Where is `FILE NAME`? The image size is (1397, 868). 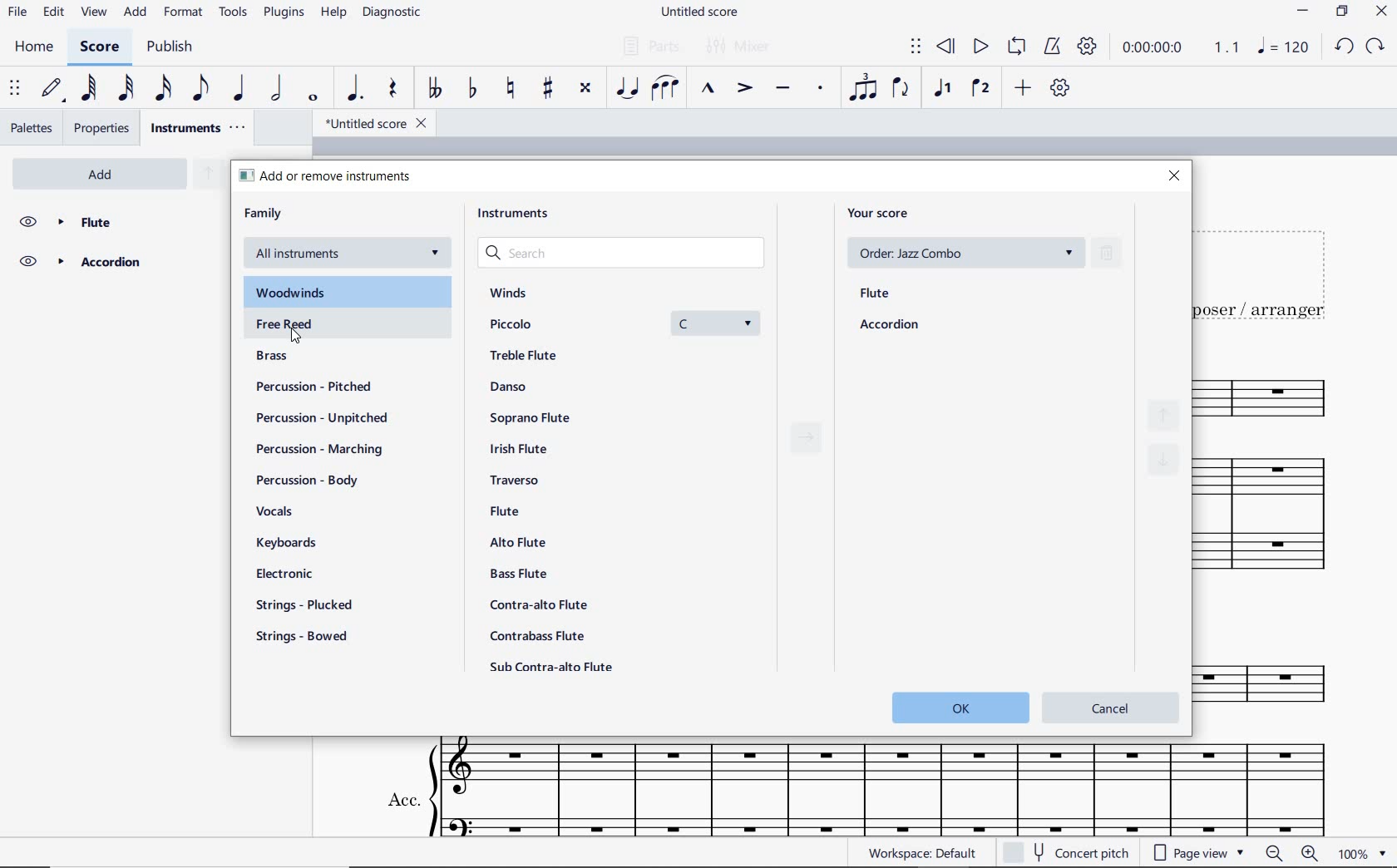 FILE NAME is located at coordinates (698, 13).